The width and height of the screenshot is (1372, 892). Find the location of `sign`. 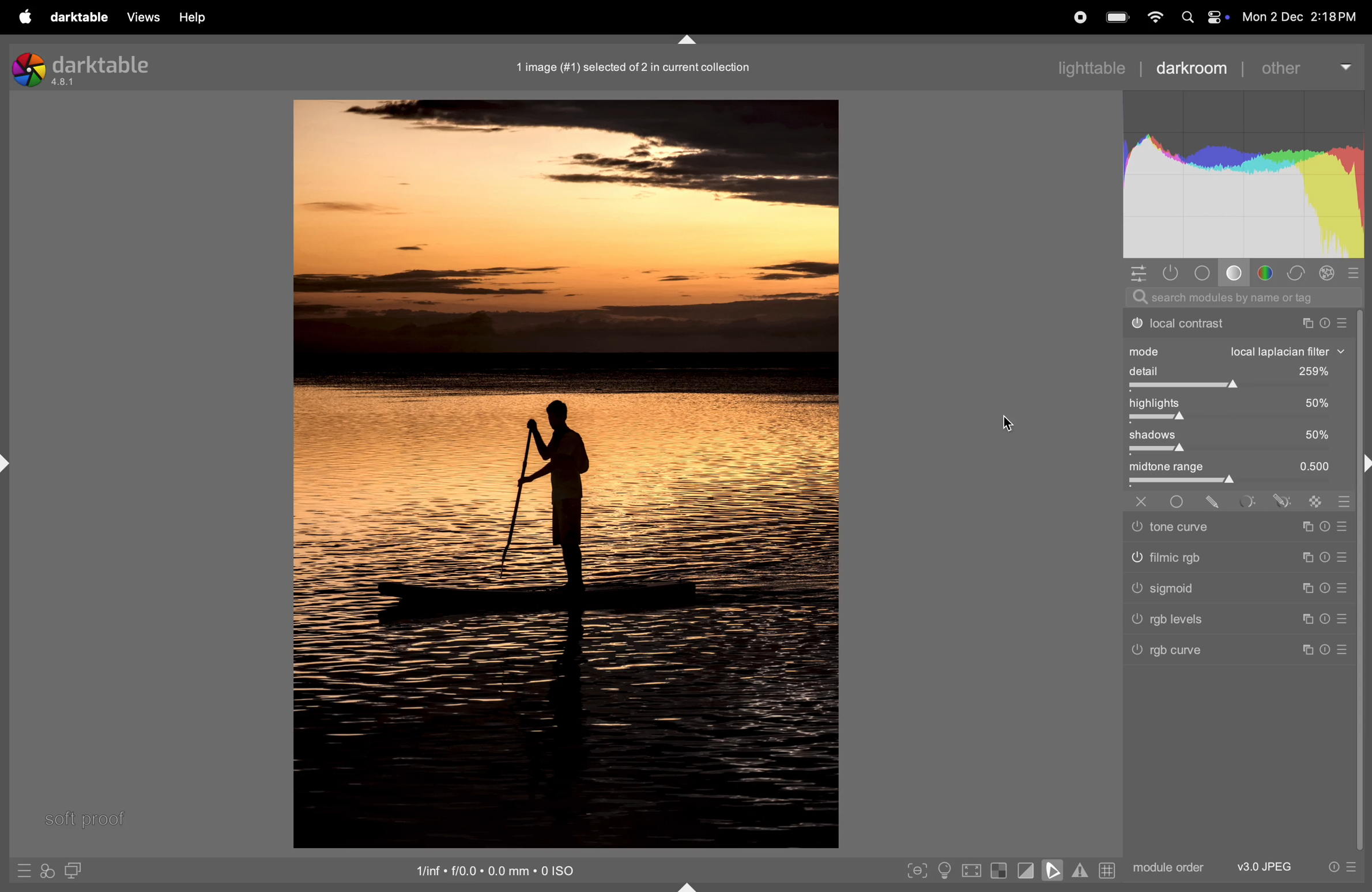

sign is located at coordinates (1280, 501).